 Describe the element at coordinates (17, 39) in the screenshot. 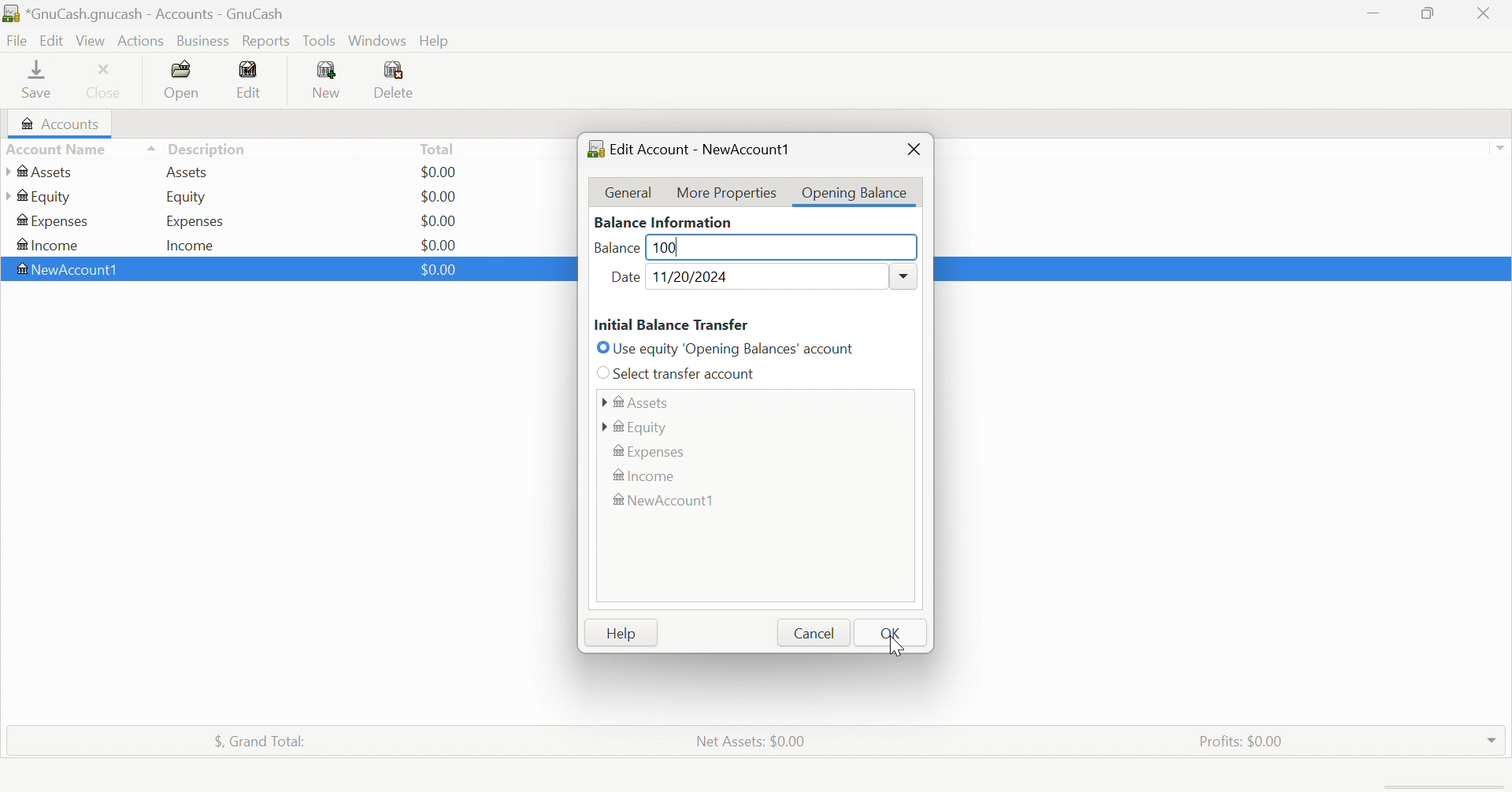

I see `File` at that location.